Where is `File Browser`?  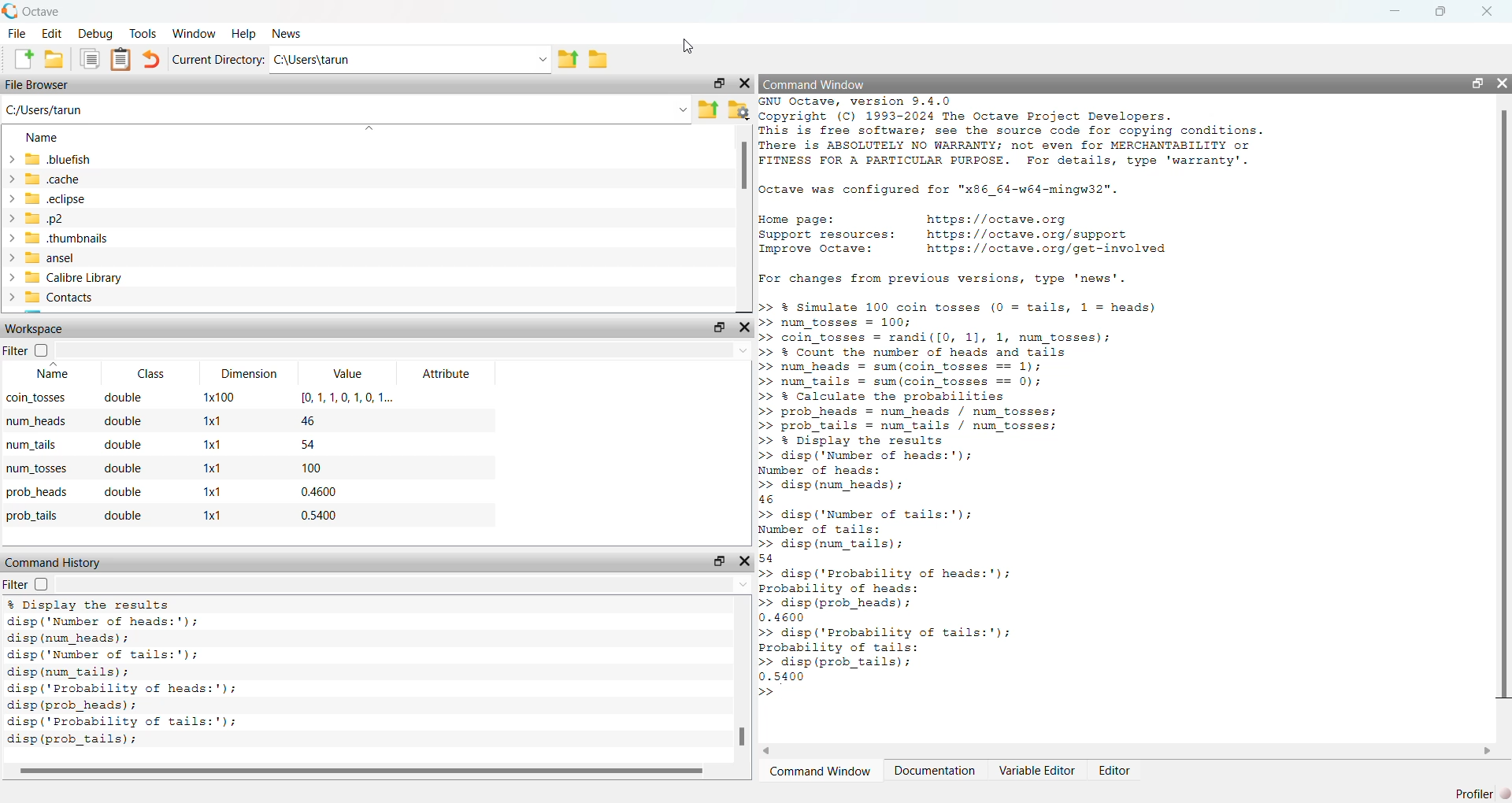
File Browser is located at coordinates (39, 84).